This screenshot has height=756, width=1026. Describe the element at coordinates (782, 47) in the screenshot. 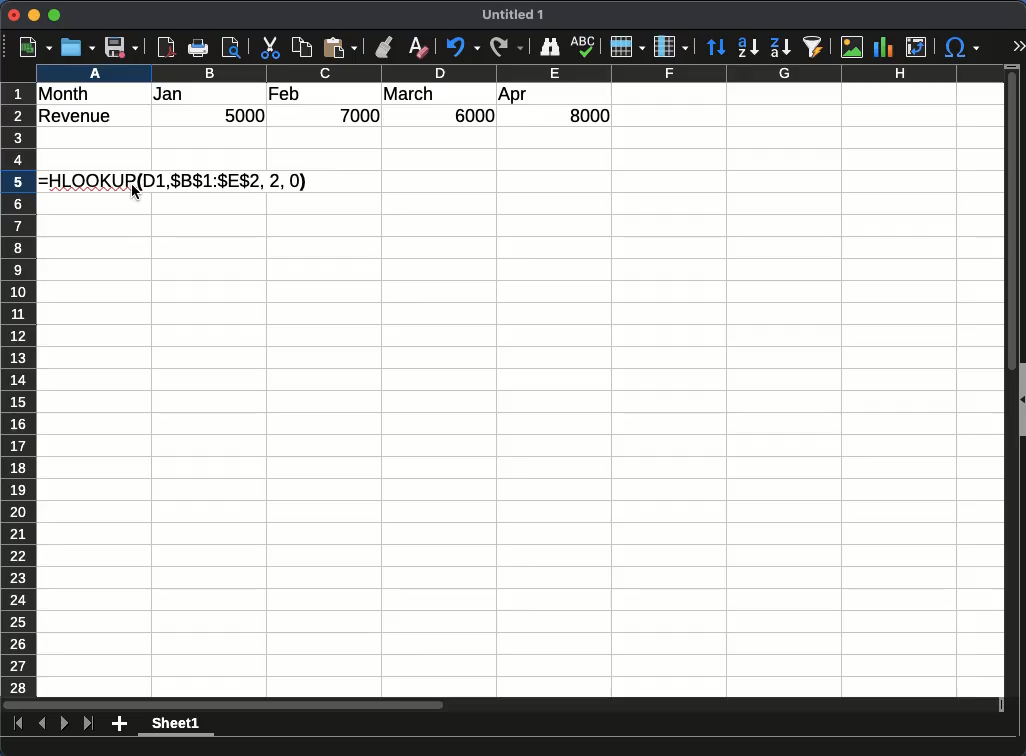

I see `descending` at that location.